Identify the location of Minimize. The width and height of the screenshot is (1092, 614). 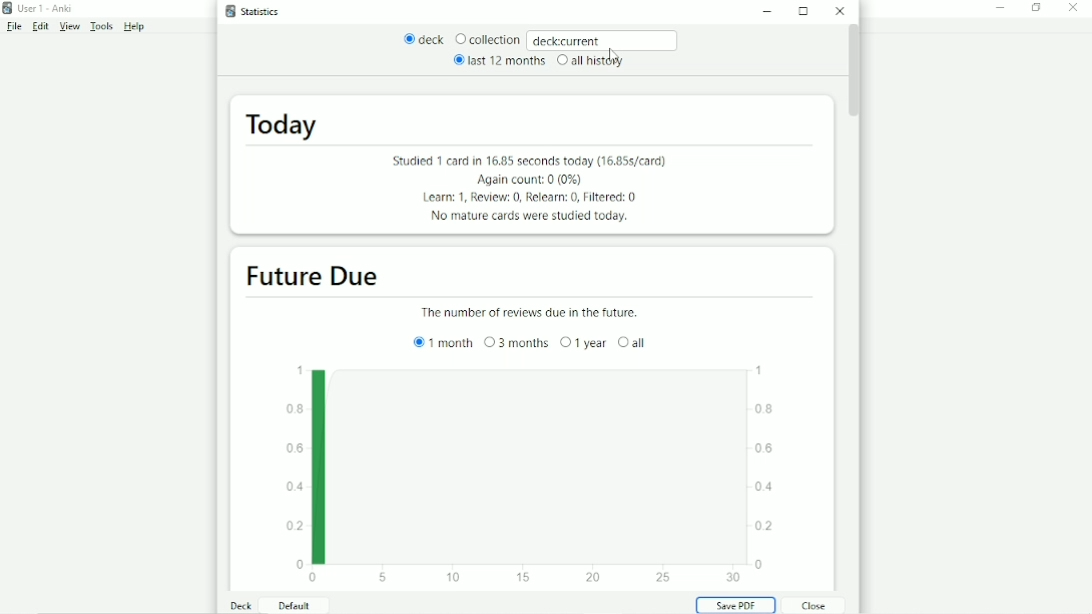
(767, 11).